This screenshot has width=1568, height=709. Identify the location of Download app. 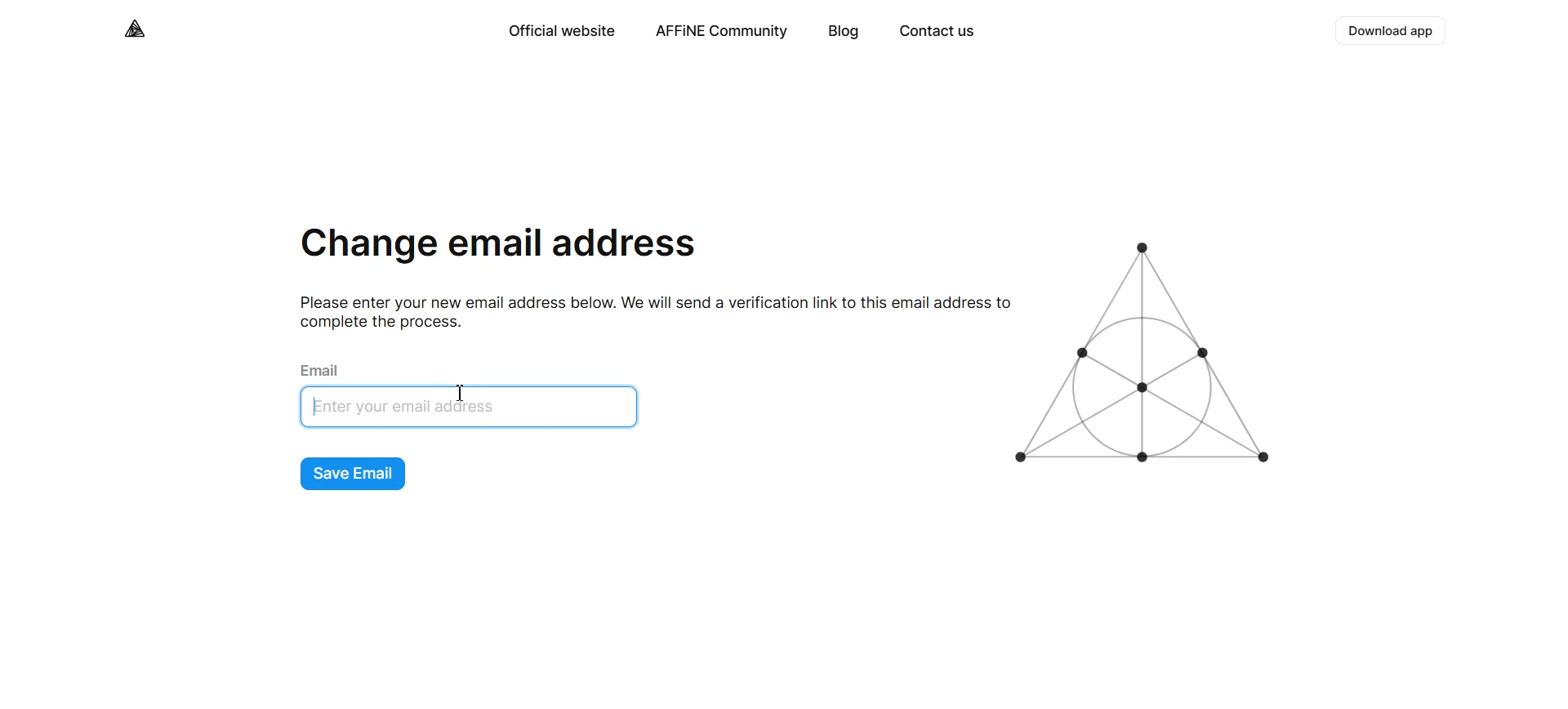
(1392, 31).